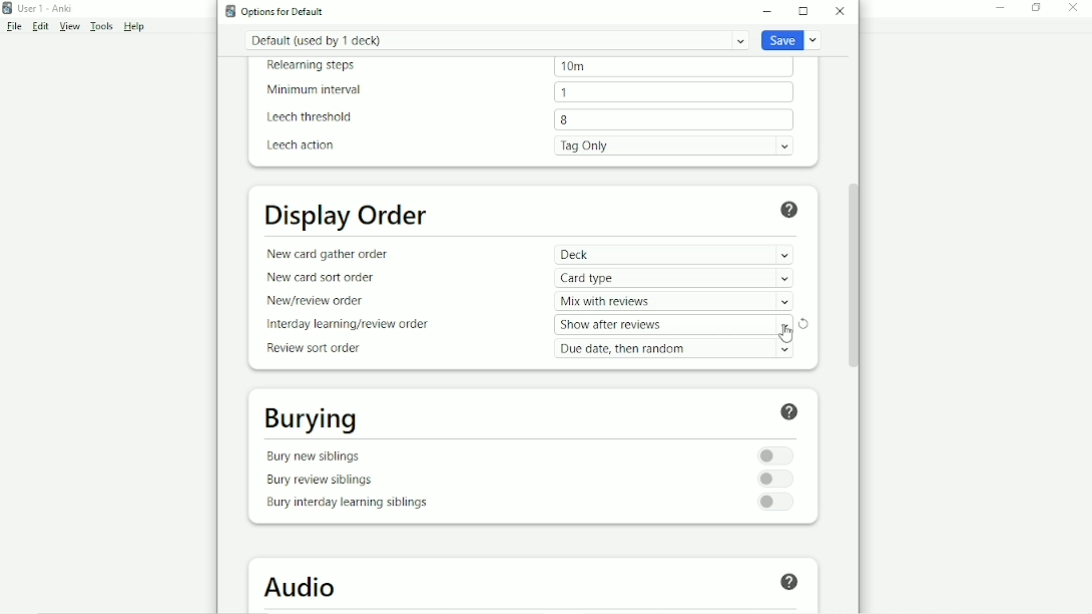 Image resolution: width=1092 pixels, height=614 pixels. What do you see at coordinates (497, 40) in the screenshot?
I see `Default (used by 1 deck)` at bounding box center [497, 40].